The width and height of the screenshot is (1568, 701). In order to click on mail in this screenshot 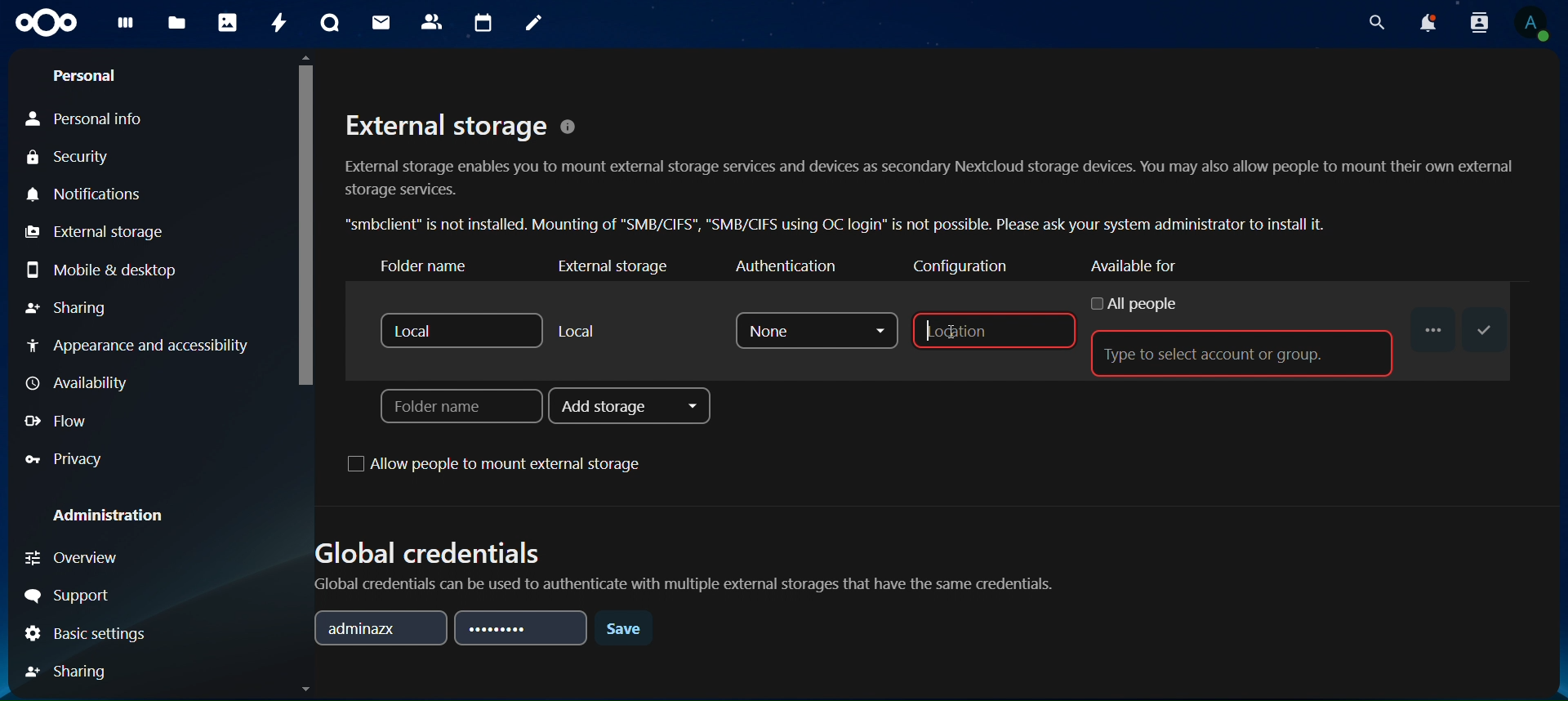, I will do `click(381, 24)`.